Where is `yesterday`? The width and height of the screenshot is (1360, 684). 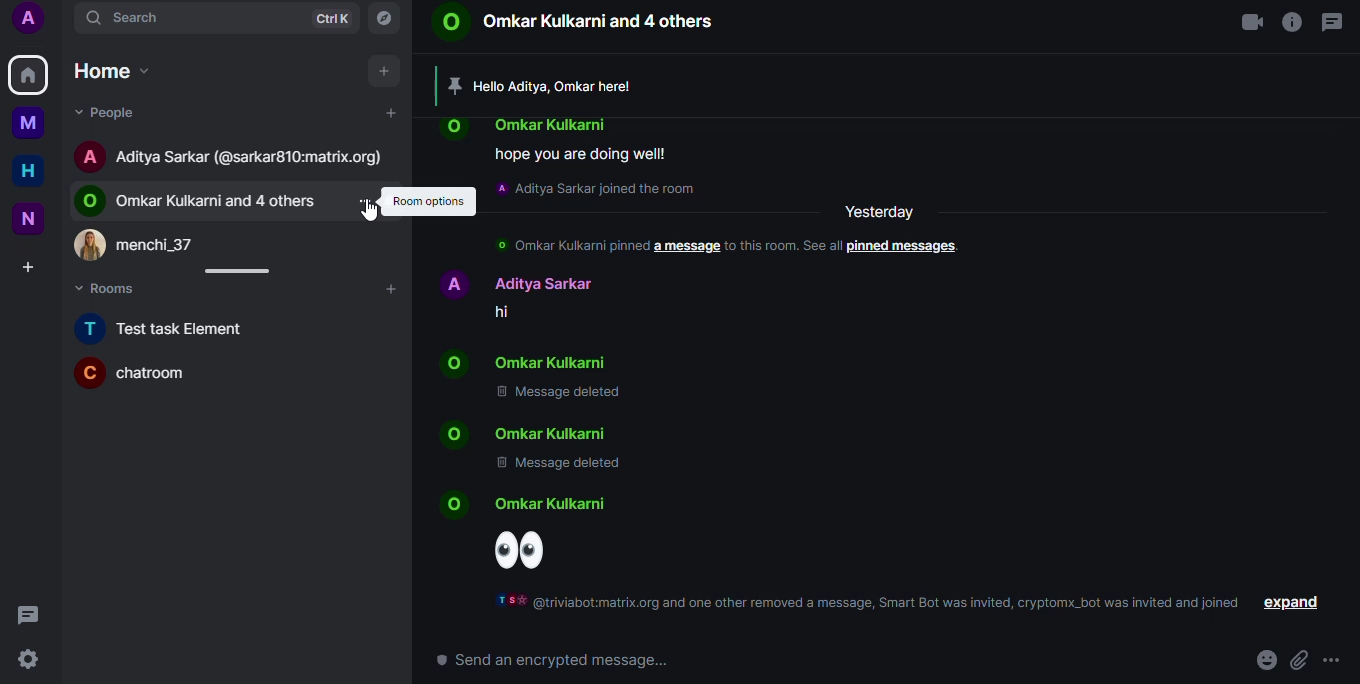
yesterday is located at coordinates (879, 212).